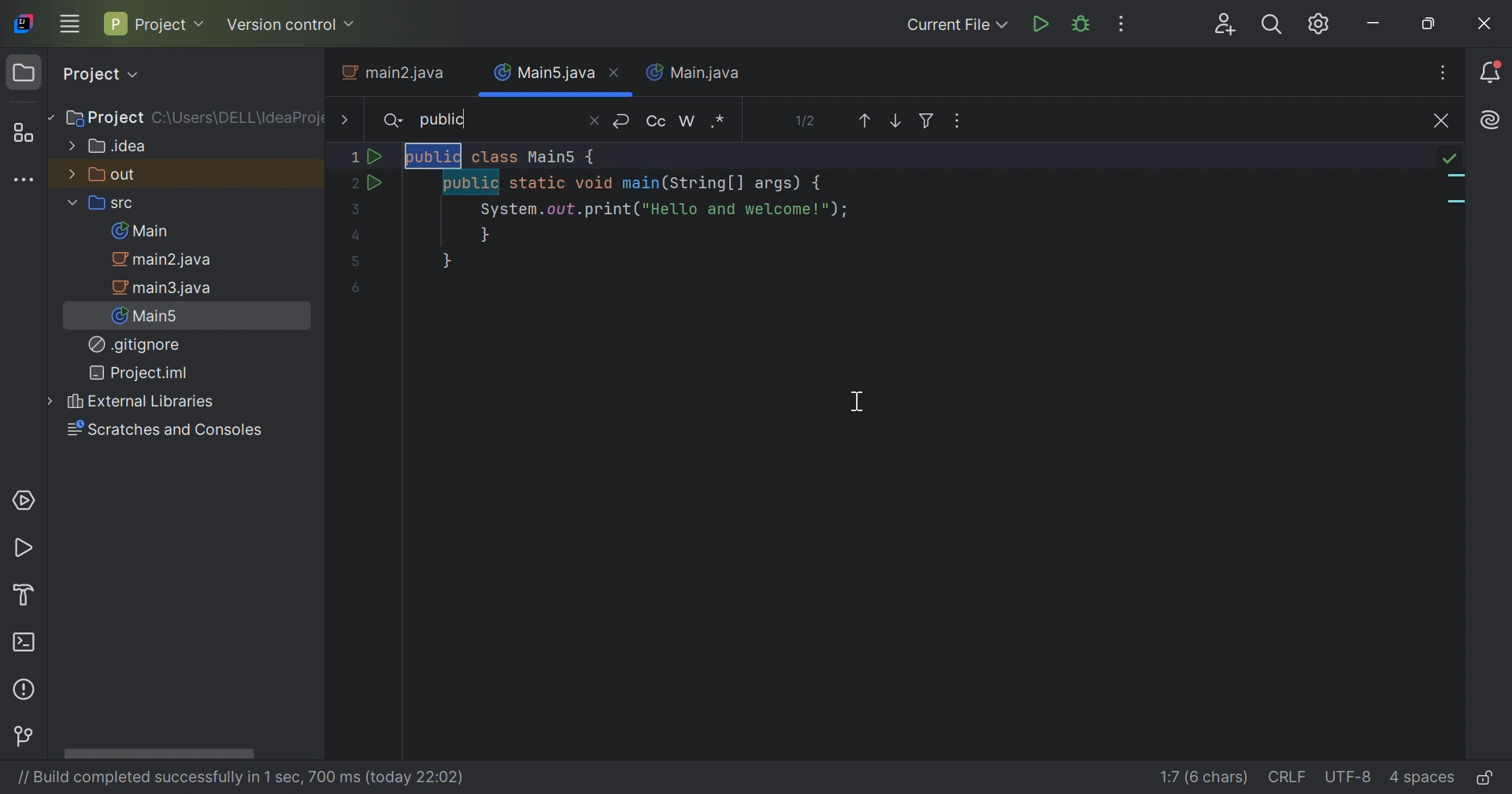 This screenshot has height=794, width=1512. What do you see at coordinates (1350, 777) in the screenshot?
I see `file encoding: UTF-8` at bounding box center [1350, 777].